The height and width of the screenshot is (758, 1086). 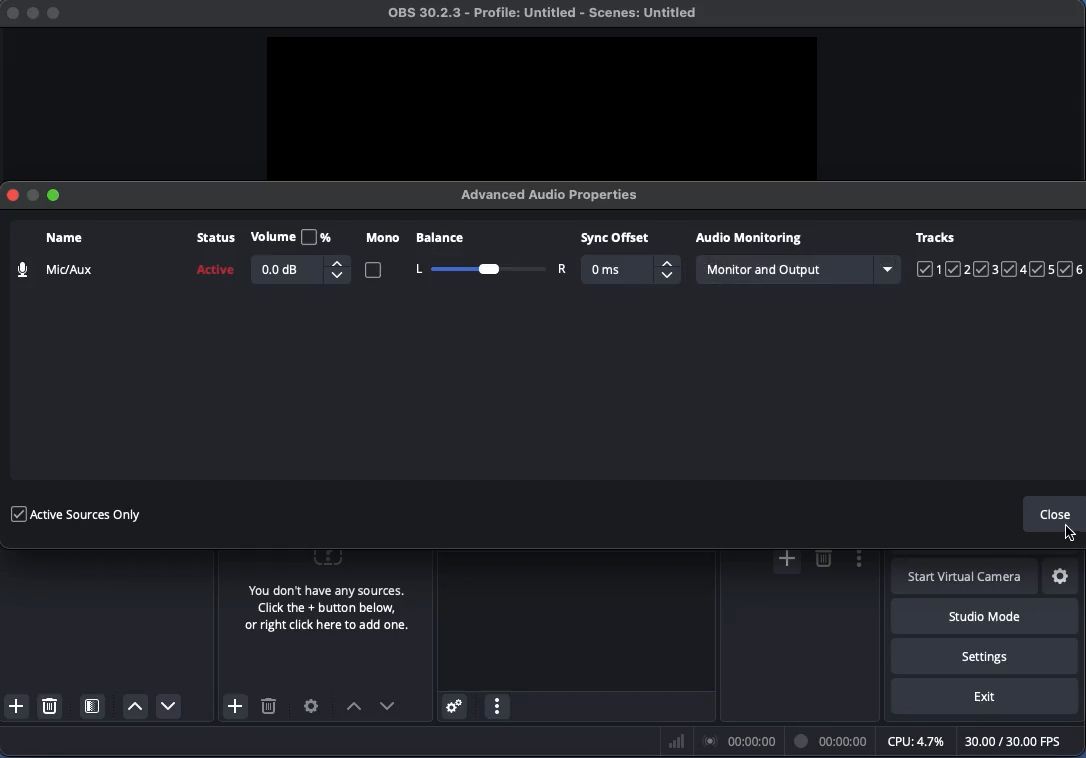 I want to click on Balance, so click(x=487, y=269).